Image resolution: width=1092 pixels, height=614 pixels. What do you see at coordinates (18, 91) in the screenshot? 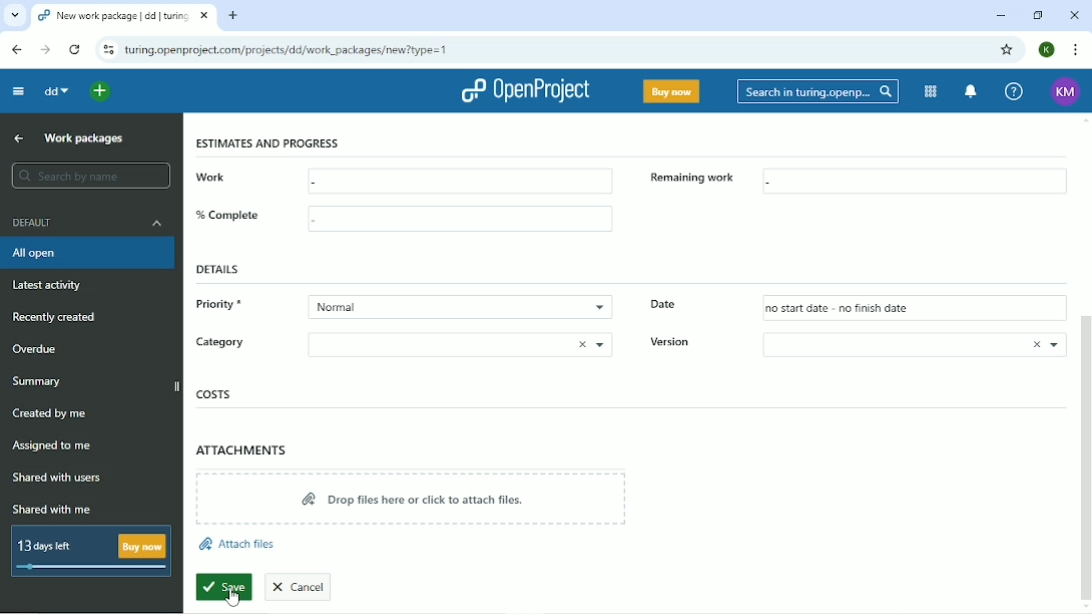
I see `Collapse project menu` at bounding box center [18, 91].